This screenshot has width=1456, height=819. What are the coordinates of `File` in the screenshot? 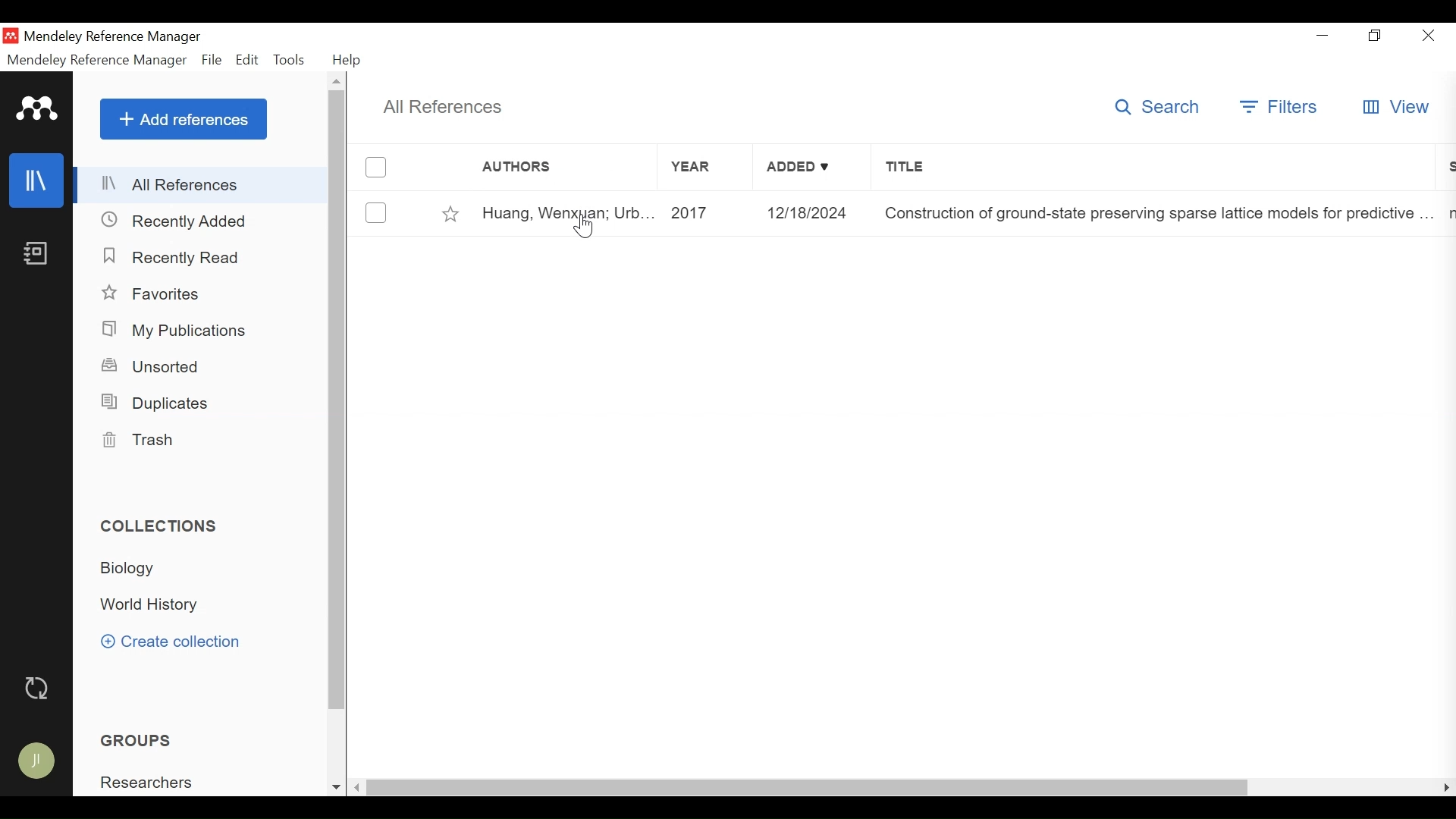 It's located at (212, 60).